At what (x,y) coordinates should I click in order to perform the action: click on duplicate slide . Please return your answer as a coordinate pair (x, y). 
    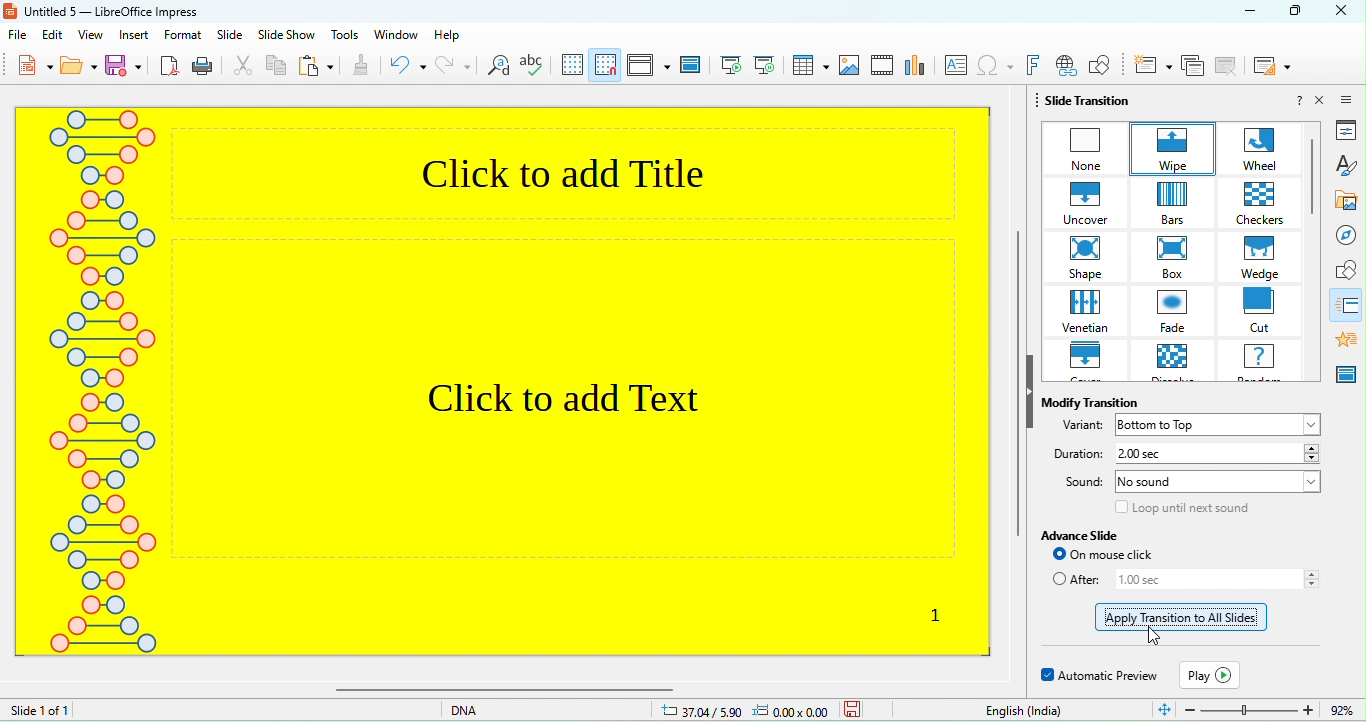
    Looking at the image, I should click on (1193, 68).